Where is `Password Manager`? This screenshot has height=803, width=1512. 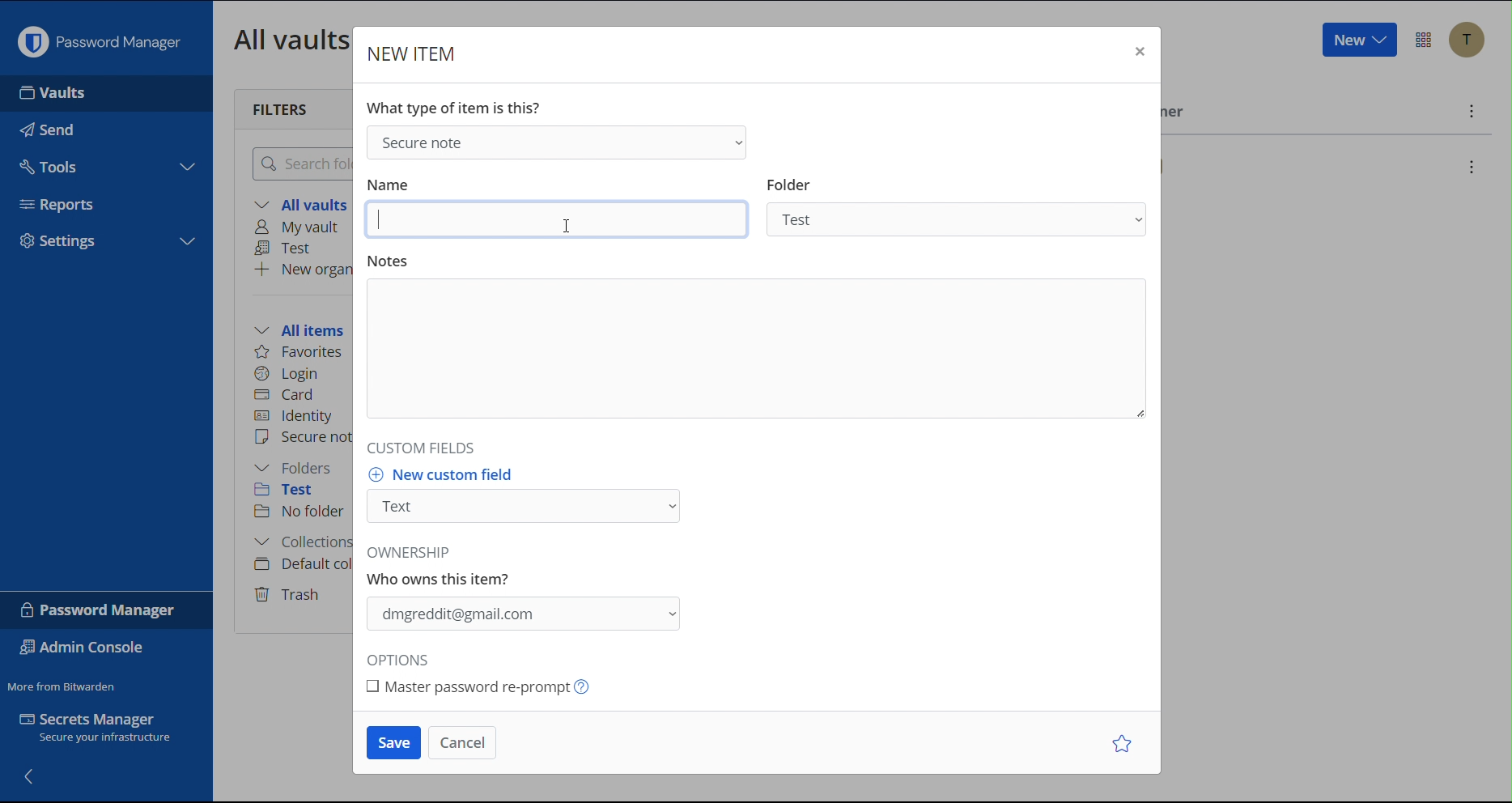
Password Manager is located at coordinates (100, 610).